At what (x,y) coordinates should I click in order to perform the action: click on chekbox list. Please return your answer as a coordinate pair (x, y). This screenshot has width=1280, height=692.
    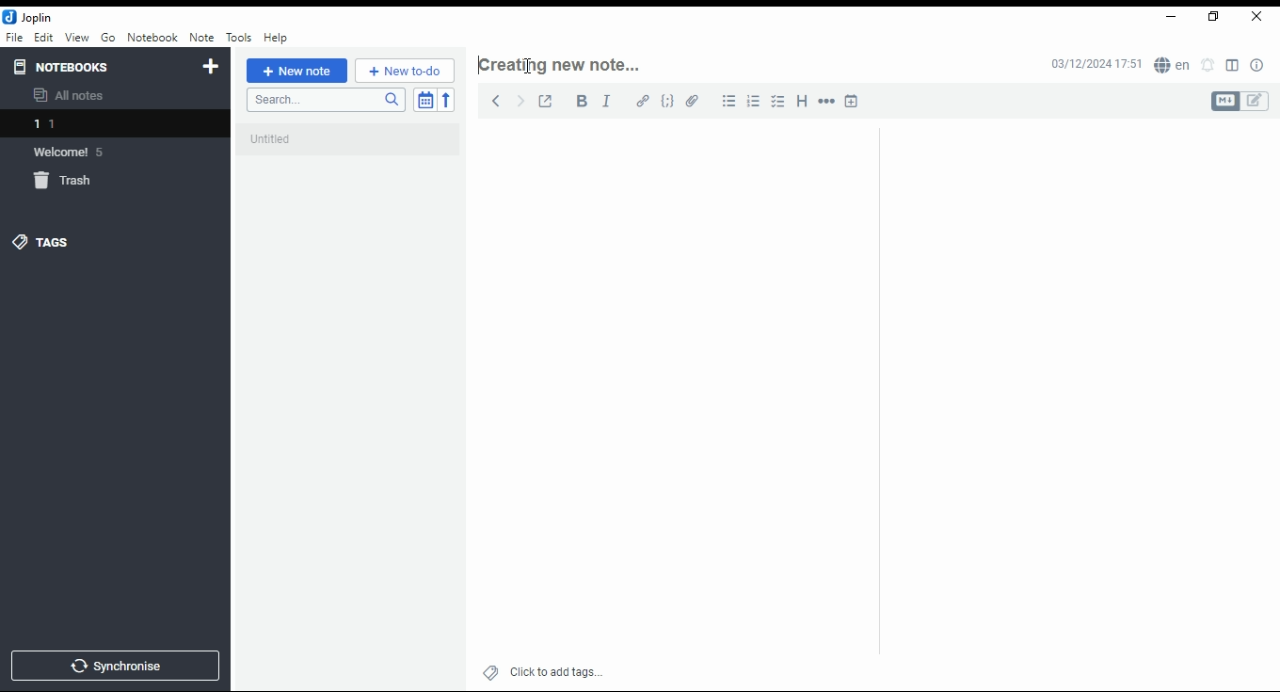
    Looking at the image, I should click on (780, 101).